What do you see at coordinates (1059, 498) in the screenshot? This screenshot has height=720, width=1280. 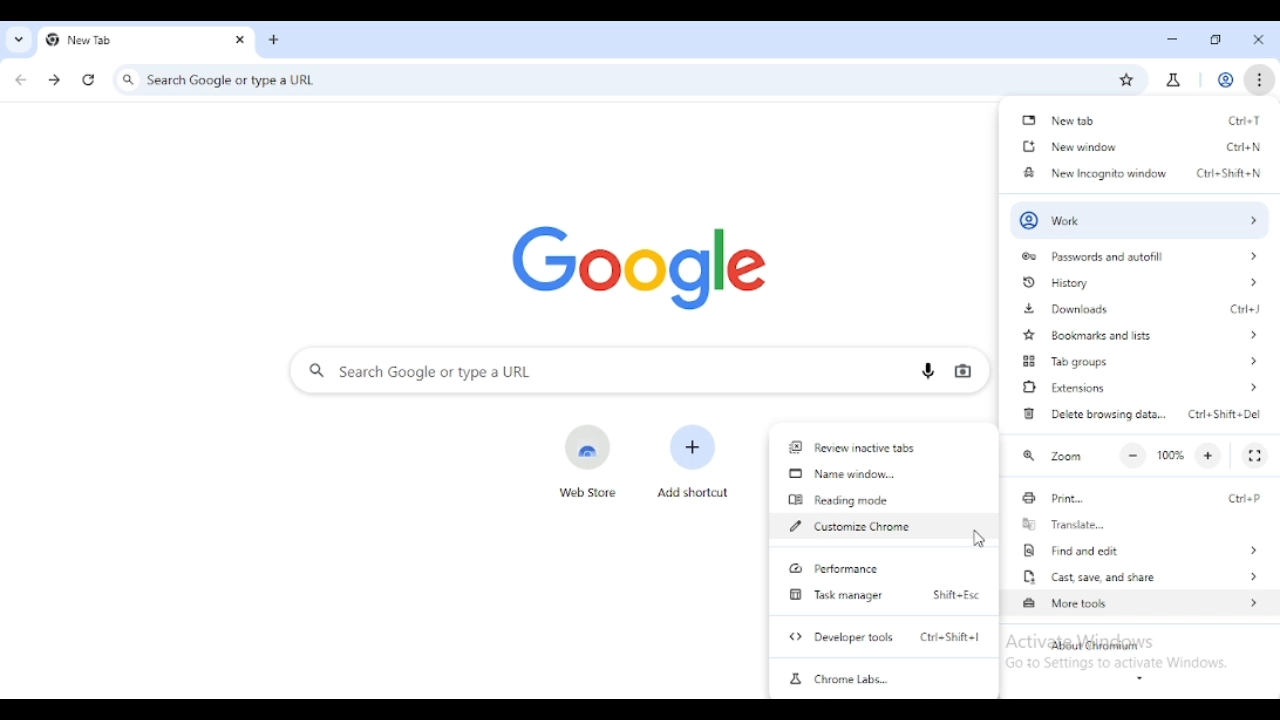 I see `print` at bounding box center [1059, 498].